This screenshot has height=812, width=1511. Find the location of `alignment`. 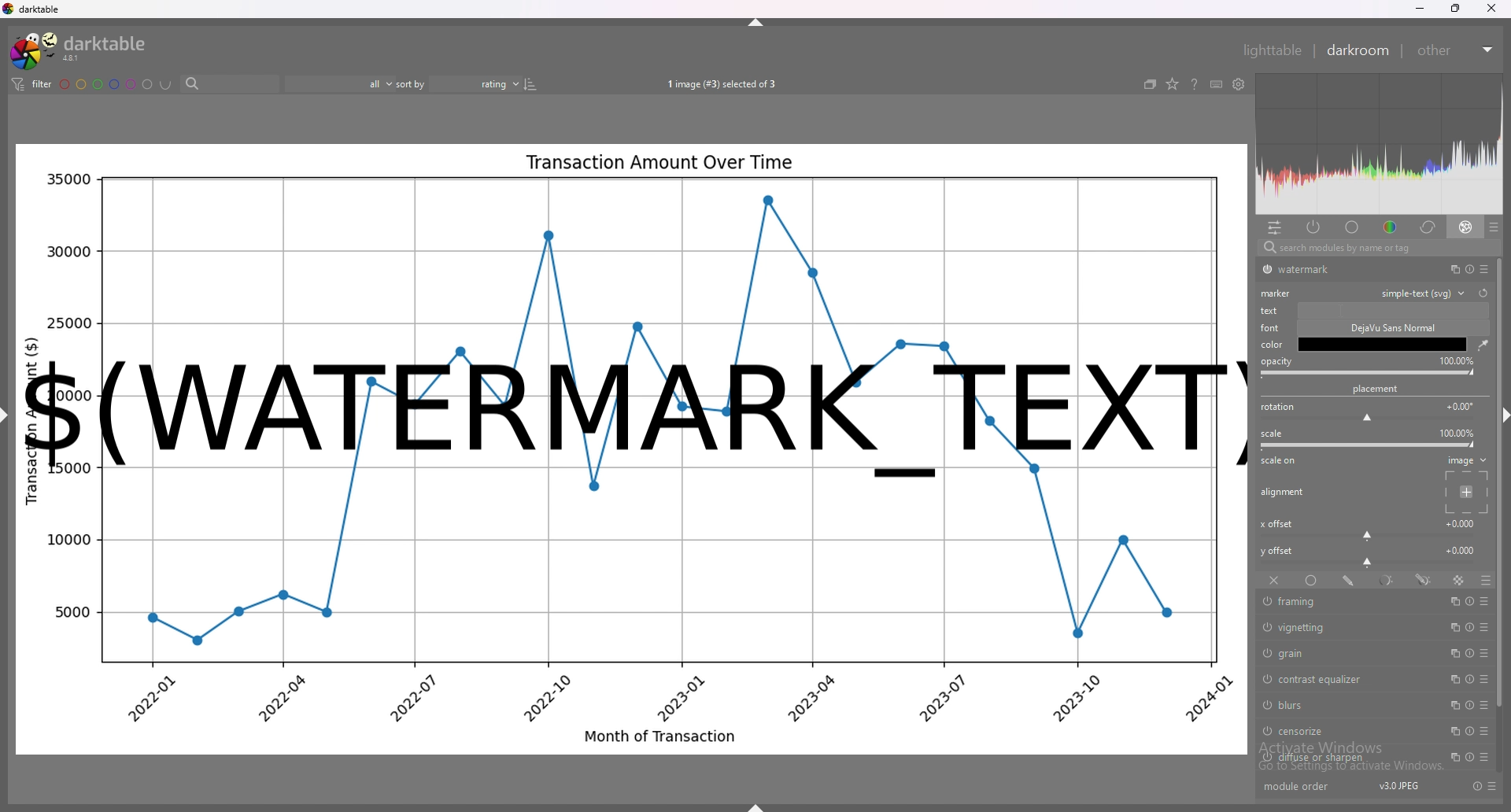

alignment is located at coordinates (1284, 492).